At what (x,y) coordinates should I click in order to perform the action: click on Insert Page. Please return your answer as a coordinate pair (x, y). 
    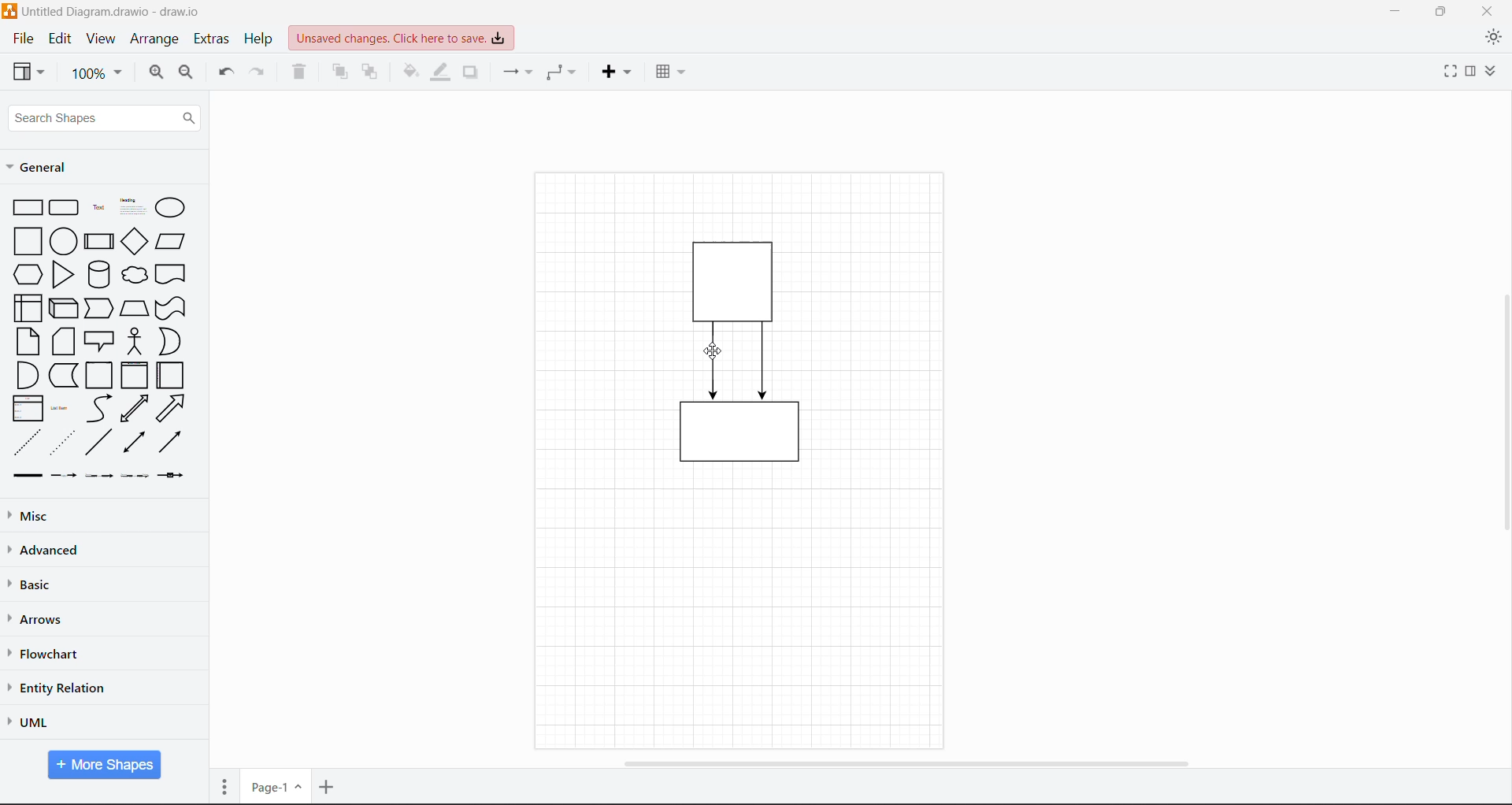
    Looking at the image, I should click on (328, 787).